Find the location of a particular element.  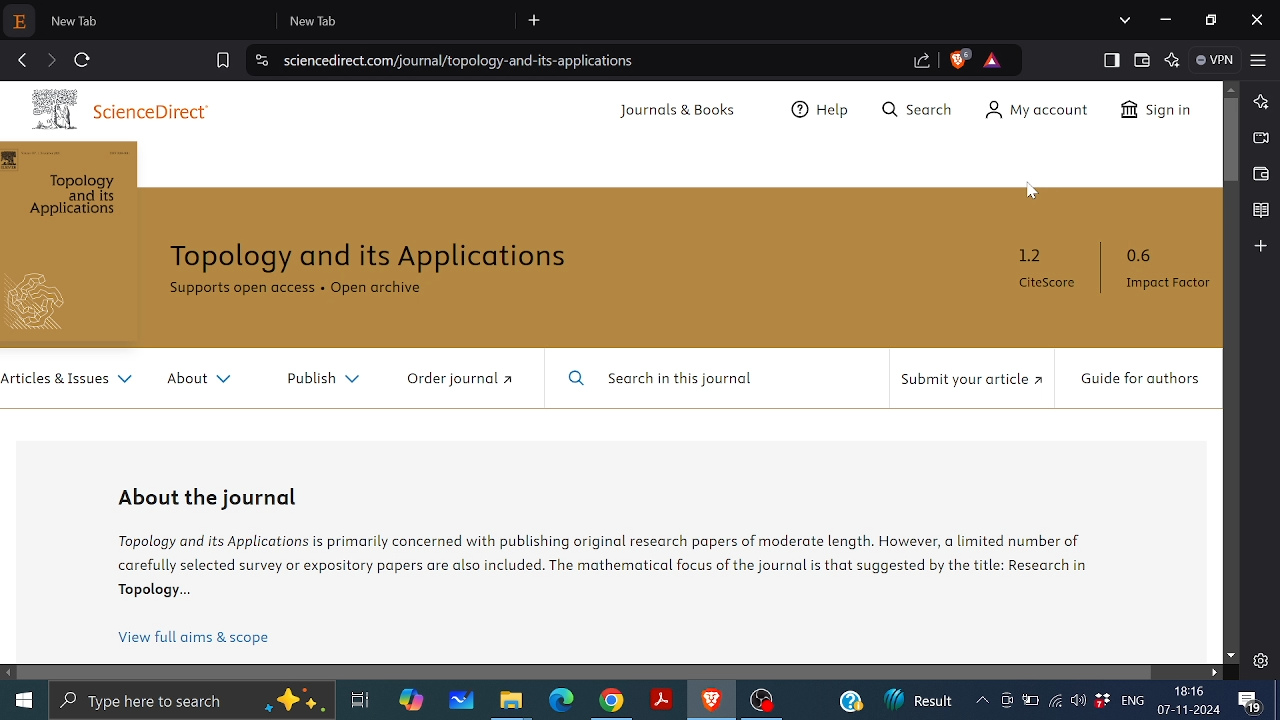

Dropbox is located at coordinates (1101, 702).